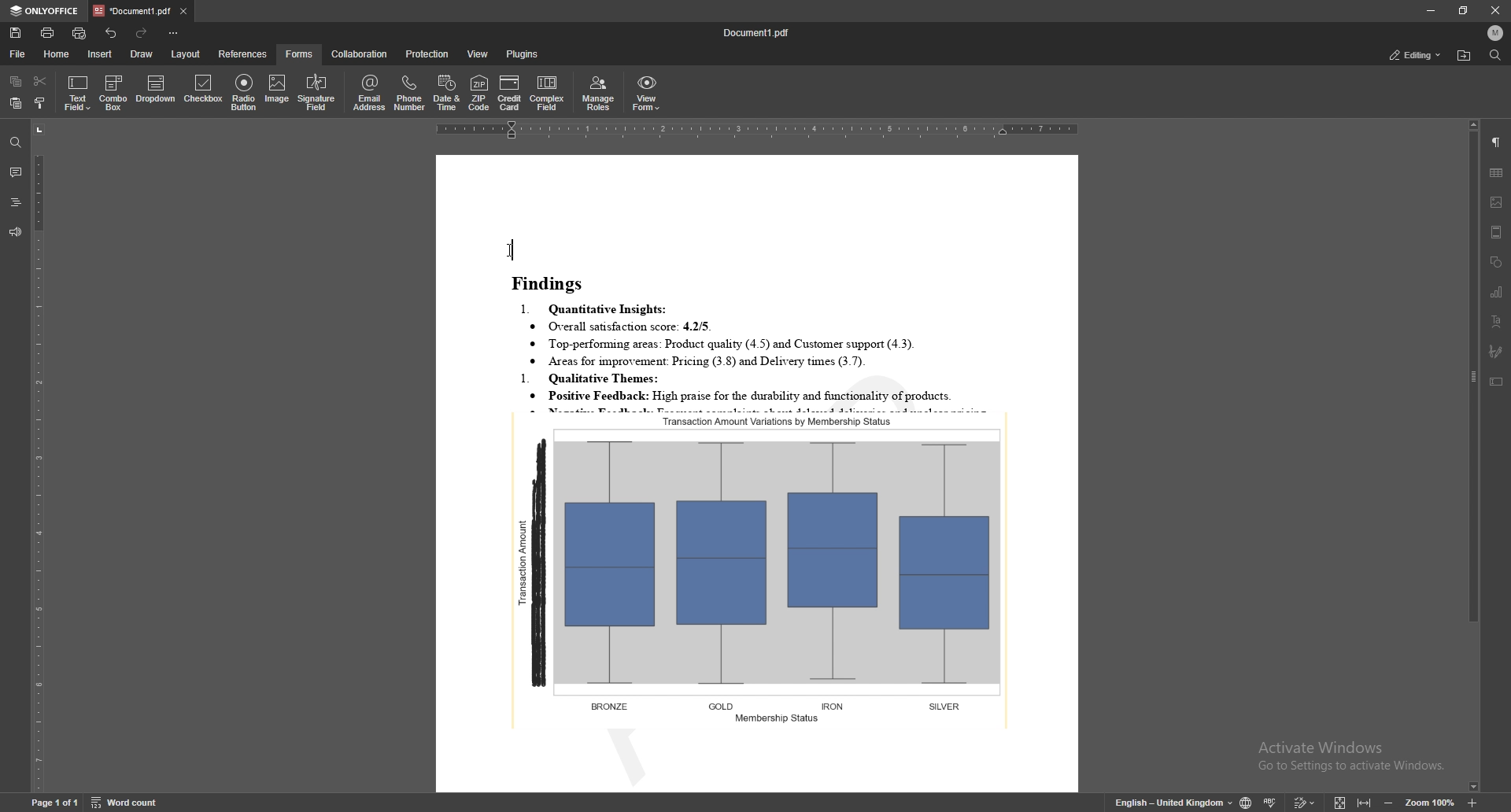  I want to click on image, so click(279, 90).